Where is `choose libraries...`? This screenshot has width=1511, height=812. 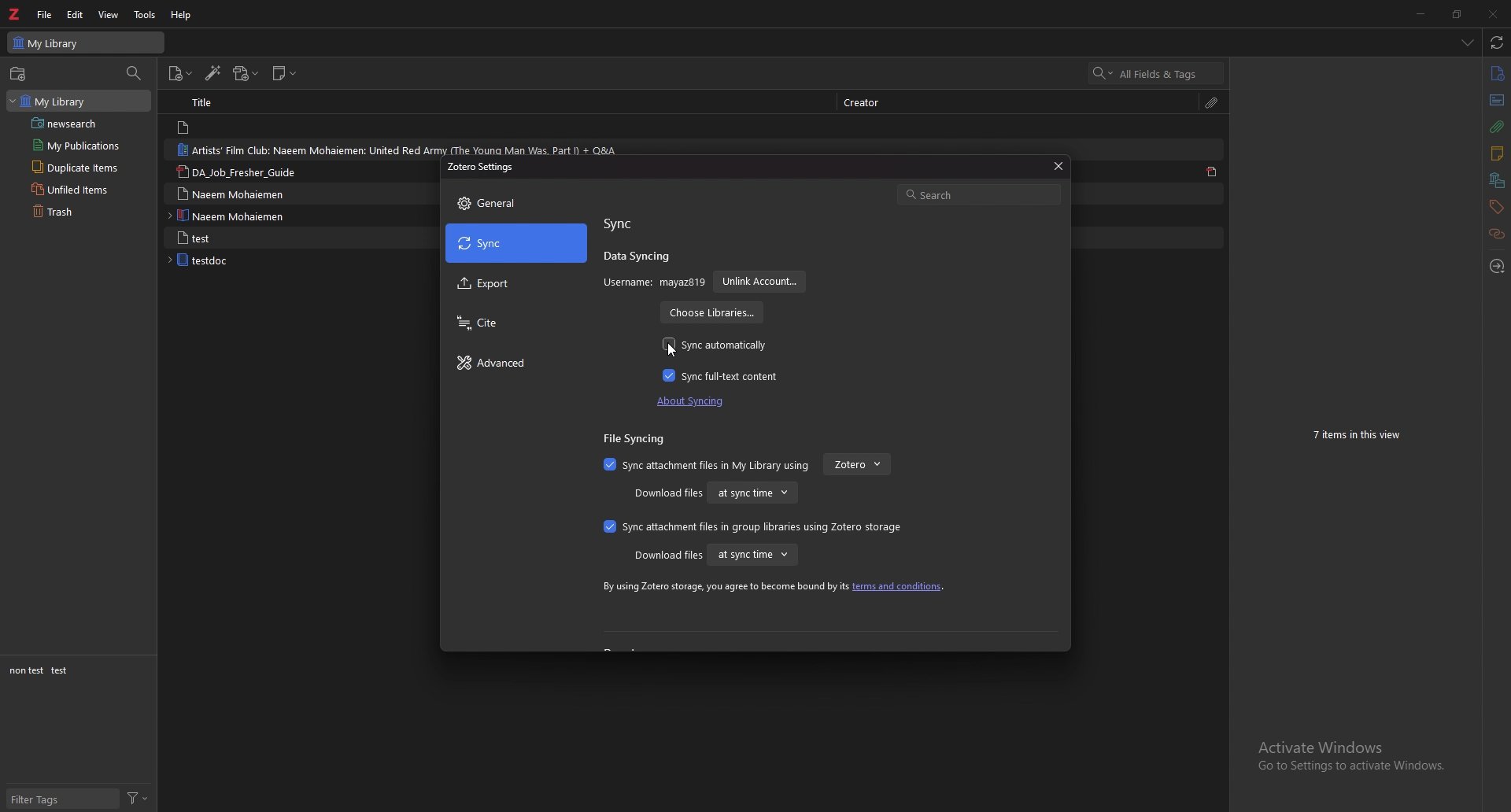
choose libraries... is located at coordinates (710, 313).